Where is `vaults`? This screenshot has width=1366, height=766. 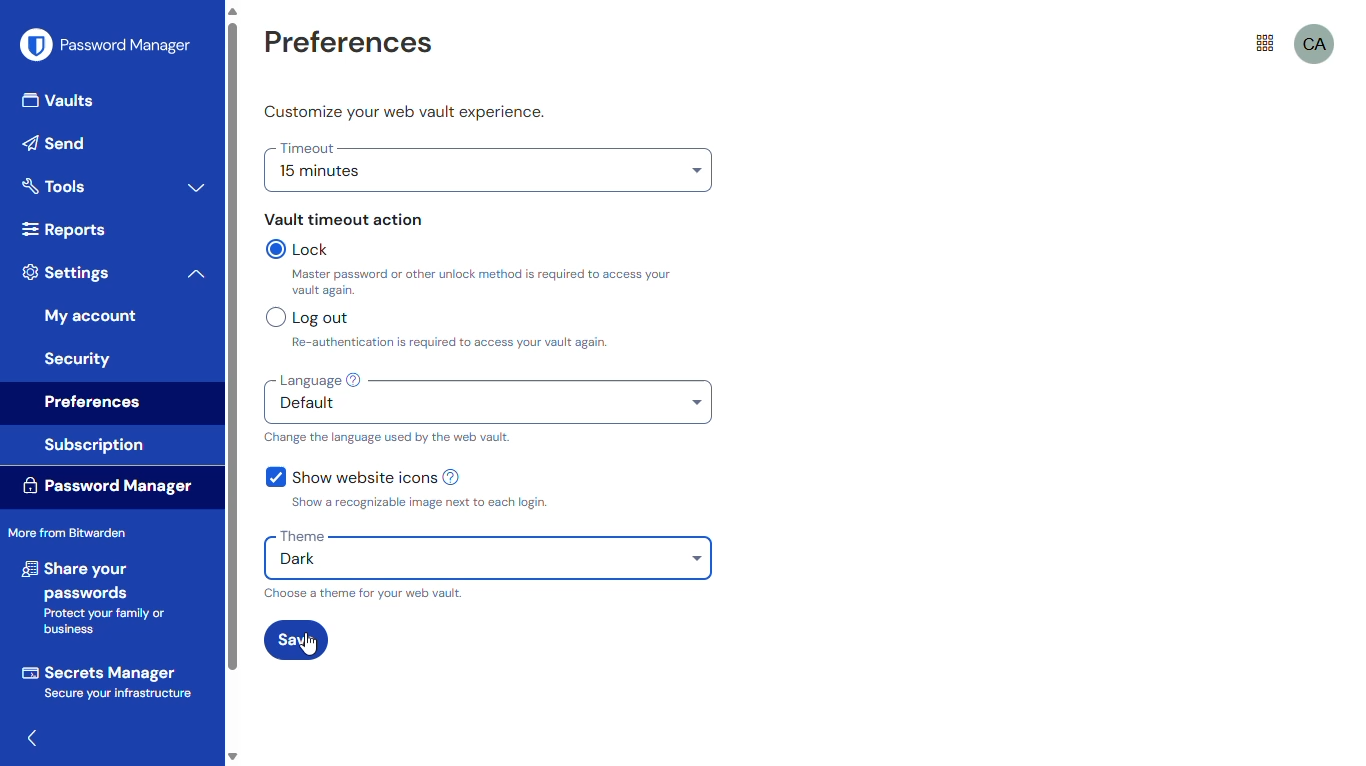
vaults is located at coordinates (61, 103).